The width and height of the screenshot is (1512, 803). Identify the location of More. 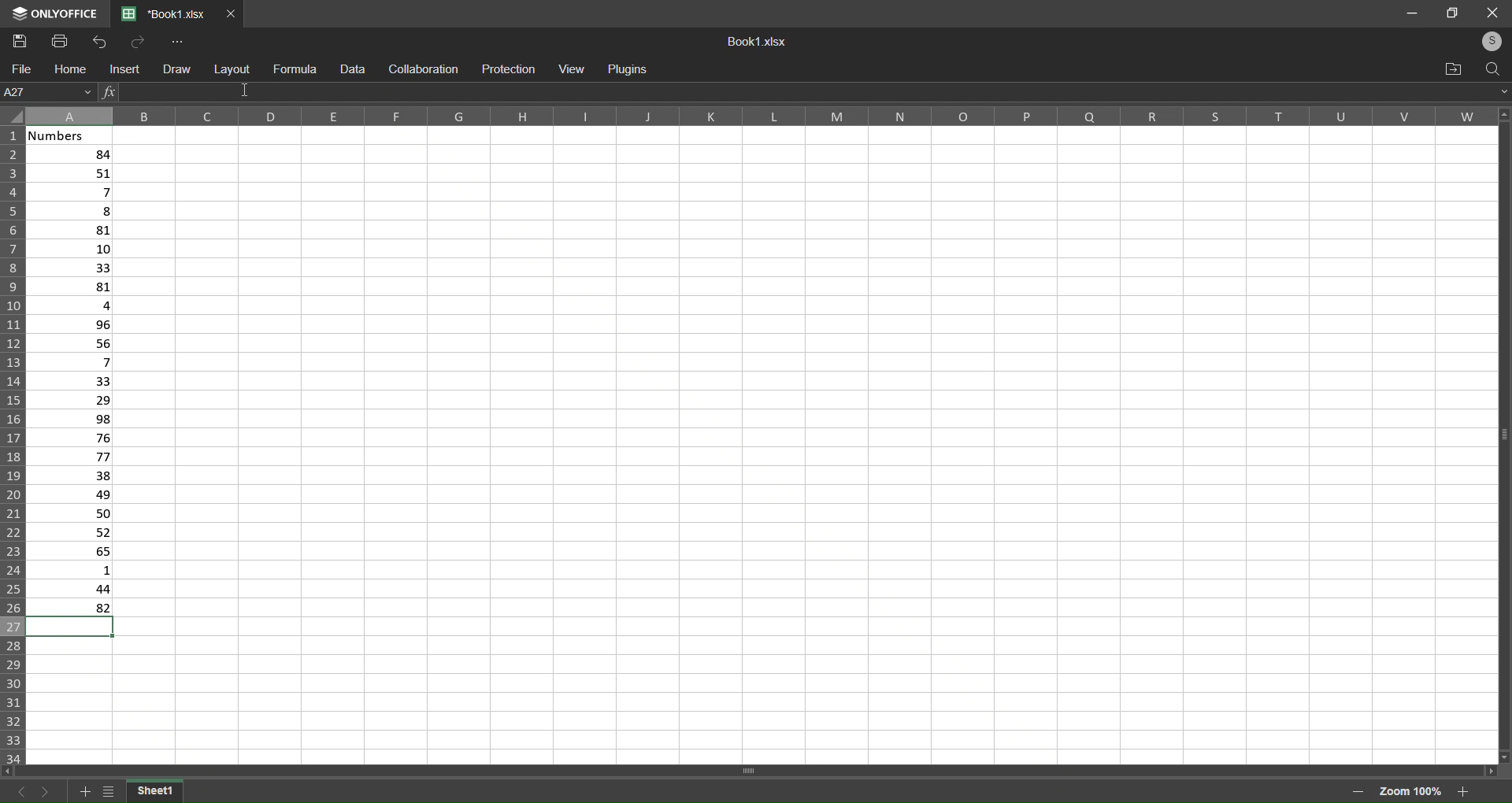
(180, 43).